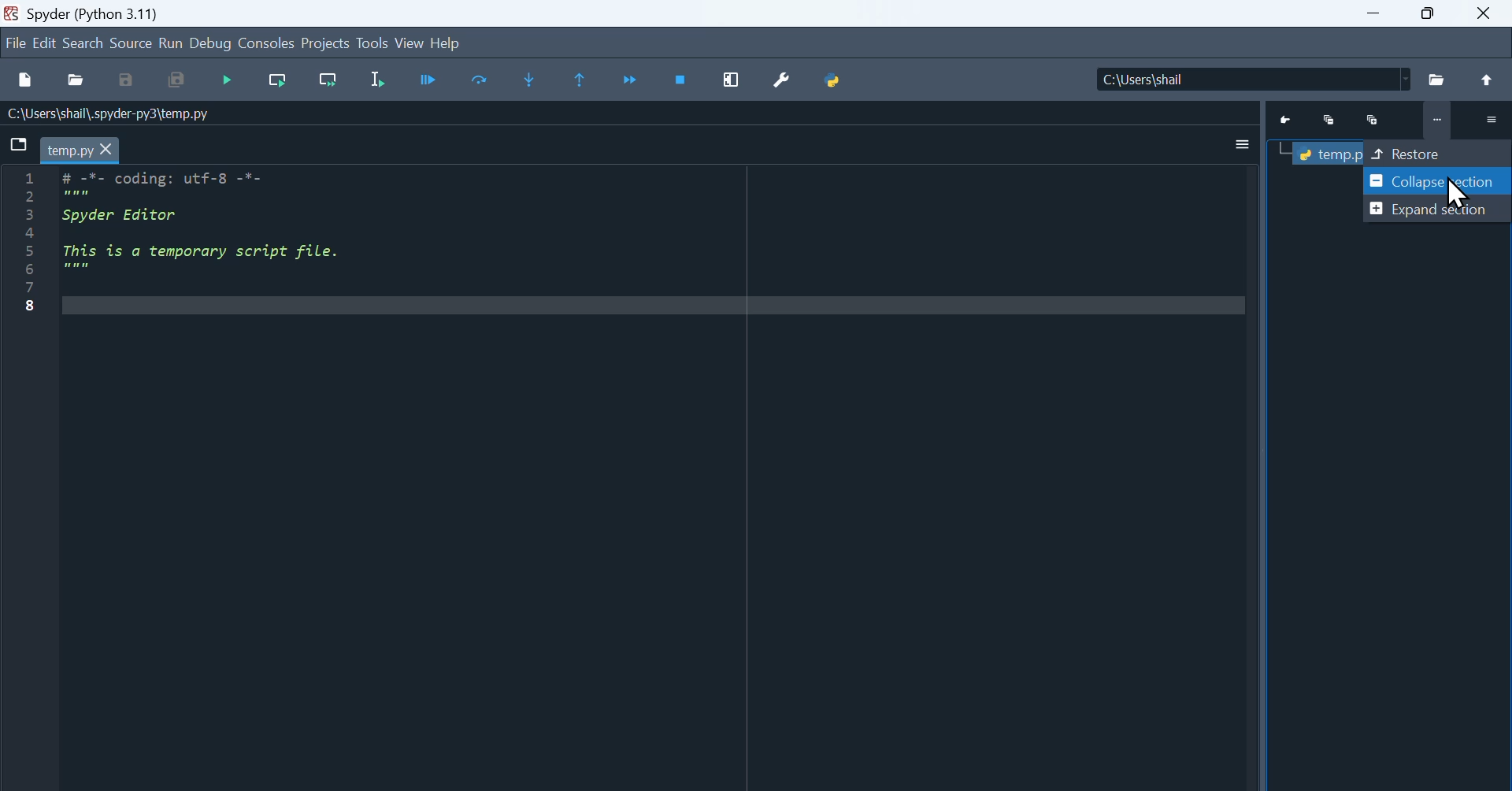 The image size is (1512, 791). I want to click on Expand section, so click(1431, 208).